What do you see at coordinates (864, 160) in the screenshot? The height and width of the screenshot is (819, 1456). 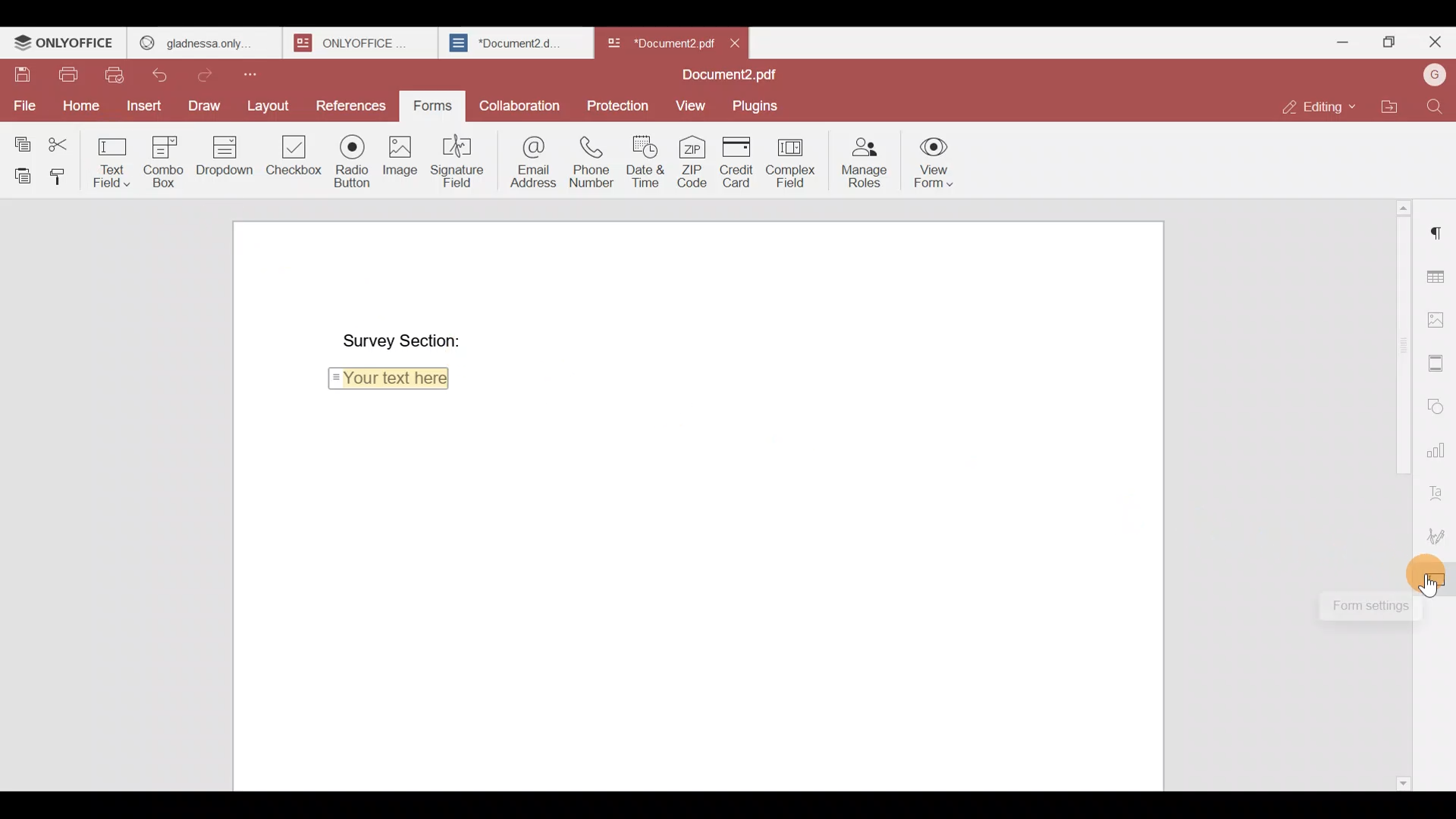 I see `Manage roles` at bounding box center [864, 160].